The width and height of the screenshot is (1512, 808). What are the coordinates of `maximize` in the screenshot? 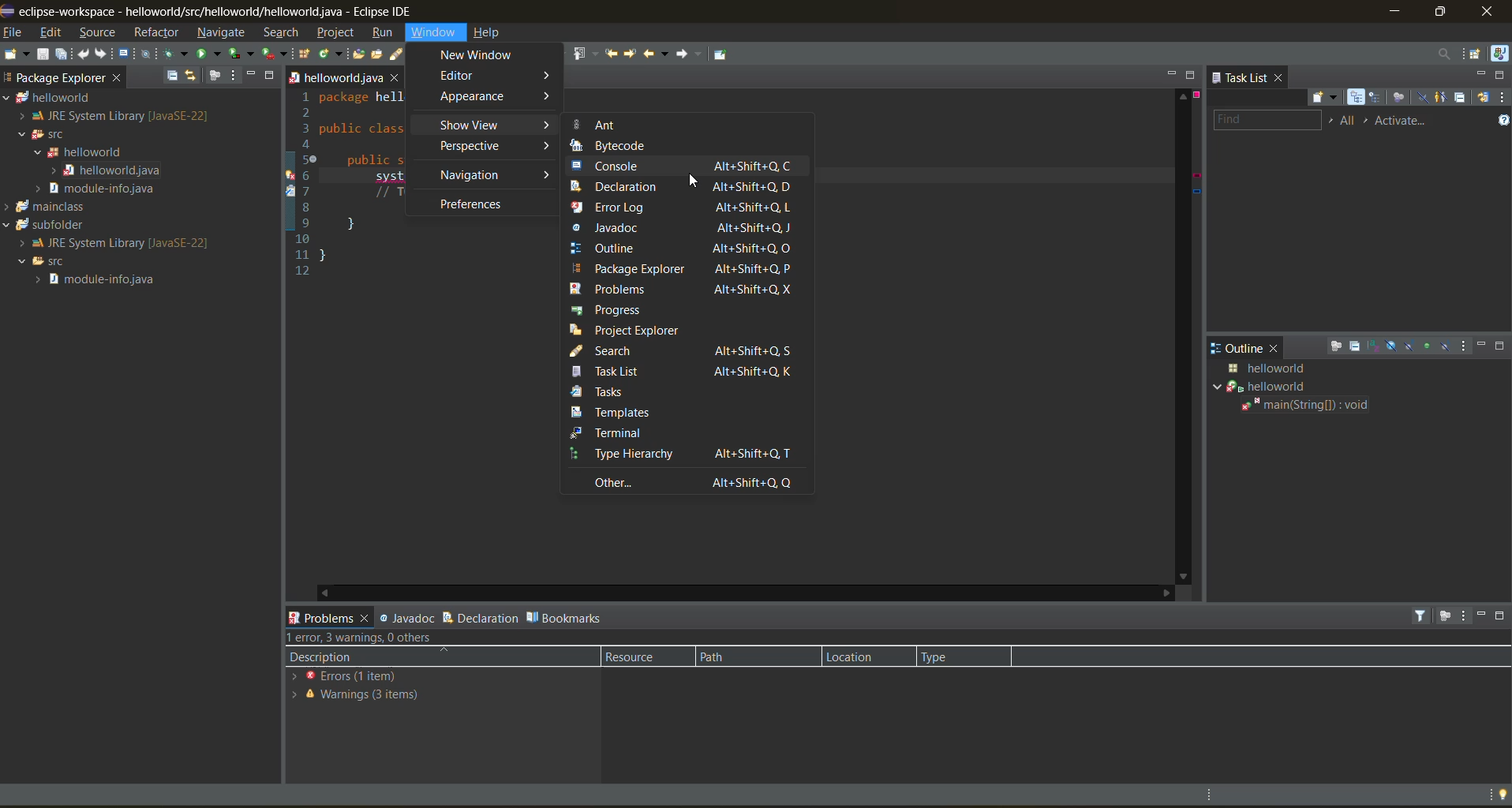 It's located at (1192, 75).